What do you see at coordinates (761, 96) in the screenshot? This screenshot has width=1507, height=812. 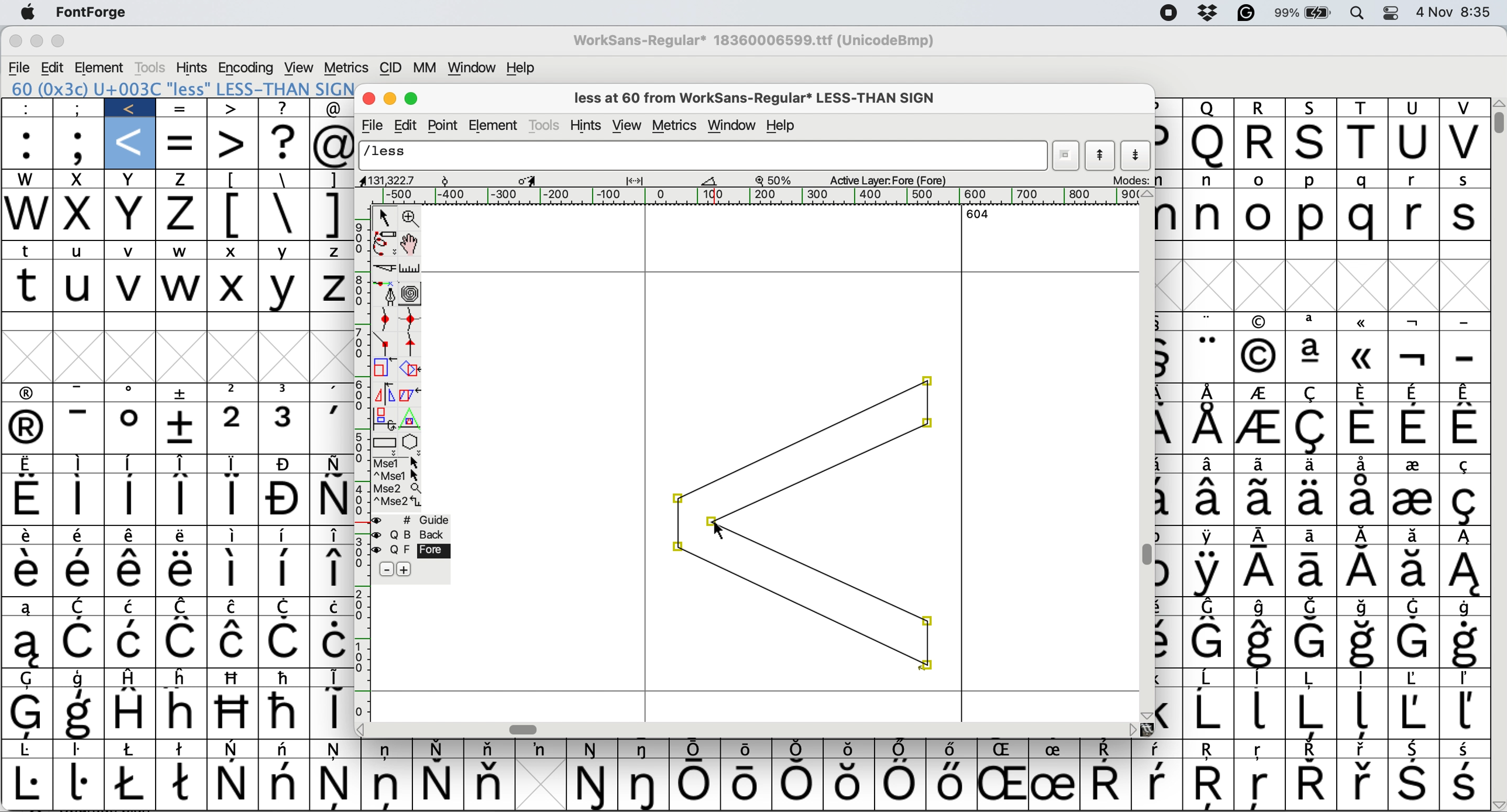 I see `less at 60 from WorkSans-Regular* LESS-THAN SIGN` at bounding box center [761, 96].